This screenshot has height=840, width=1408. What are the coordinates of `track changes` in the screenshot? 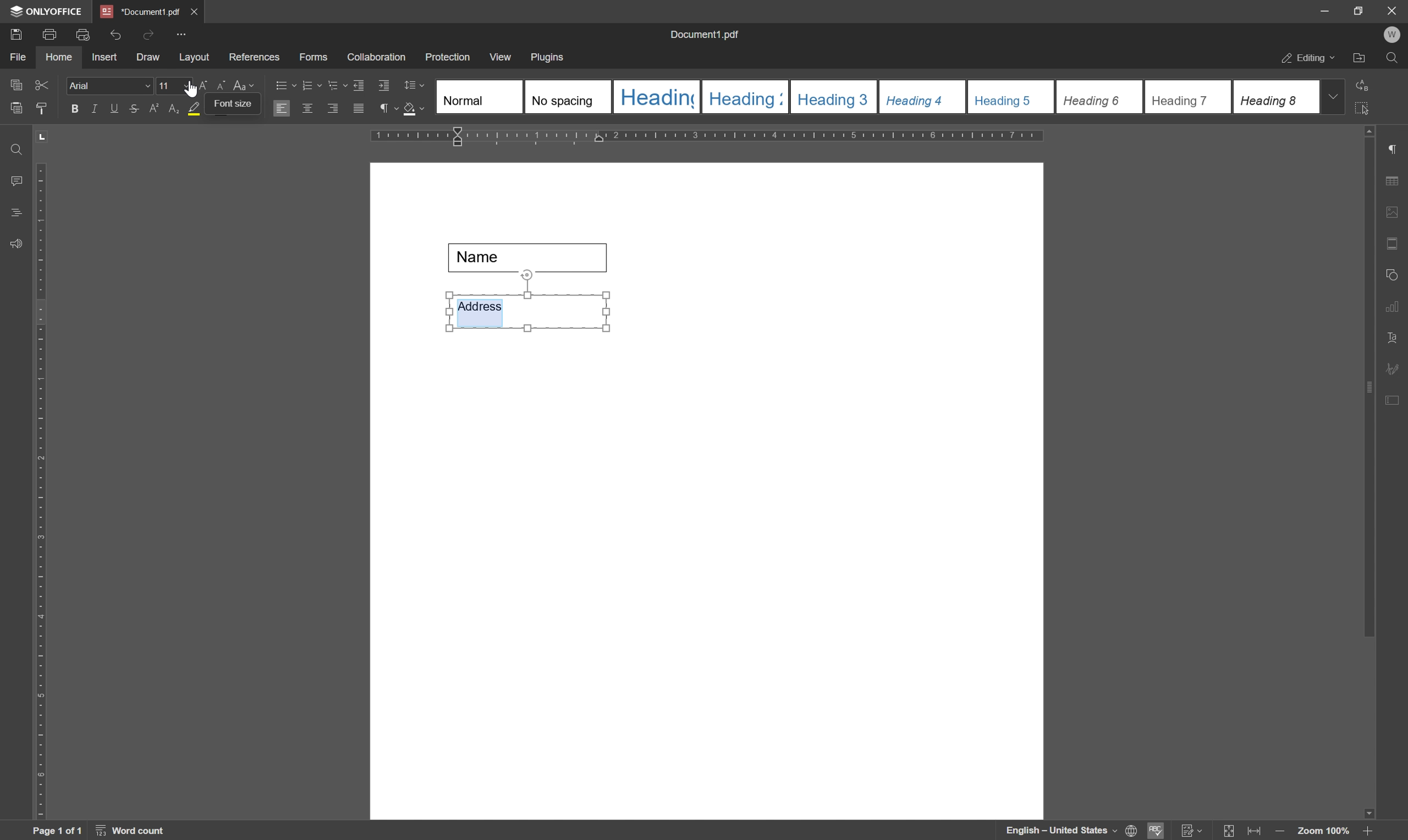 It's located at (1191, 831).